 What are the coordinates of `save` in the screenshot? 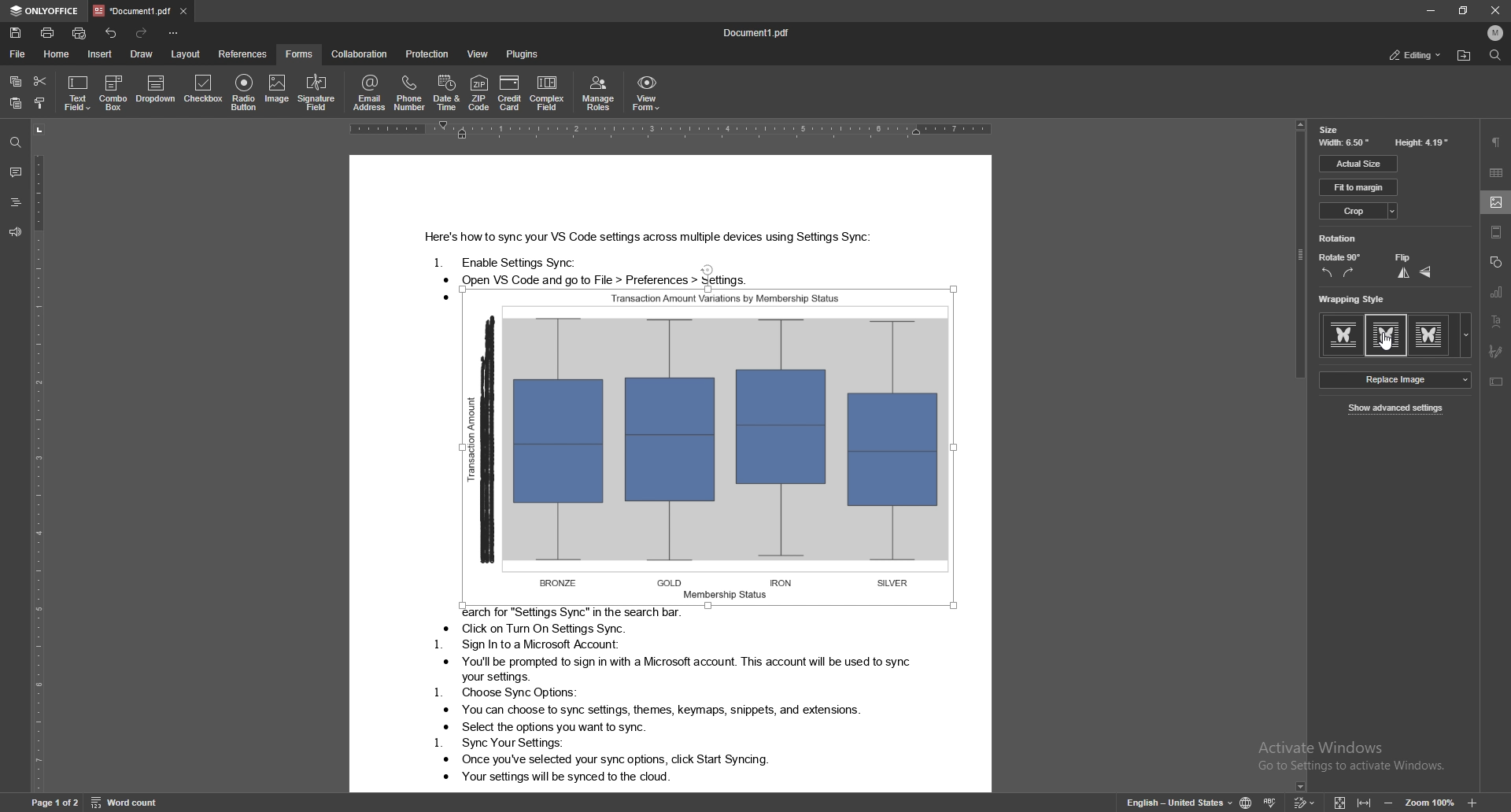 It's located at (16, 31).